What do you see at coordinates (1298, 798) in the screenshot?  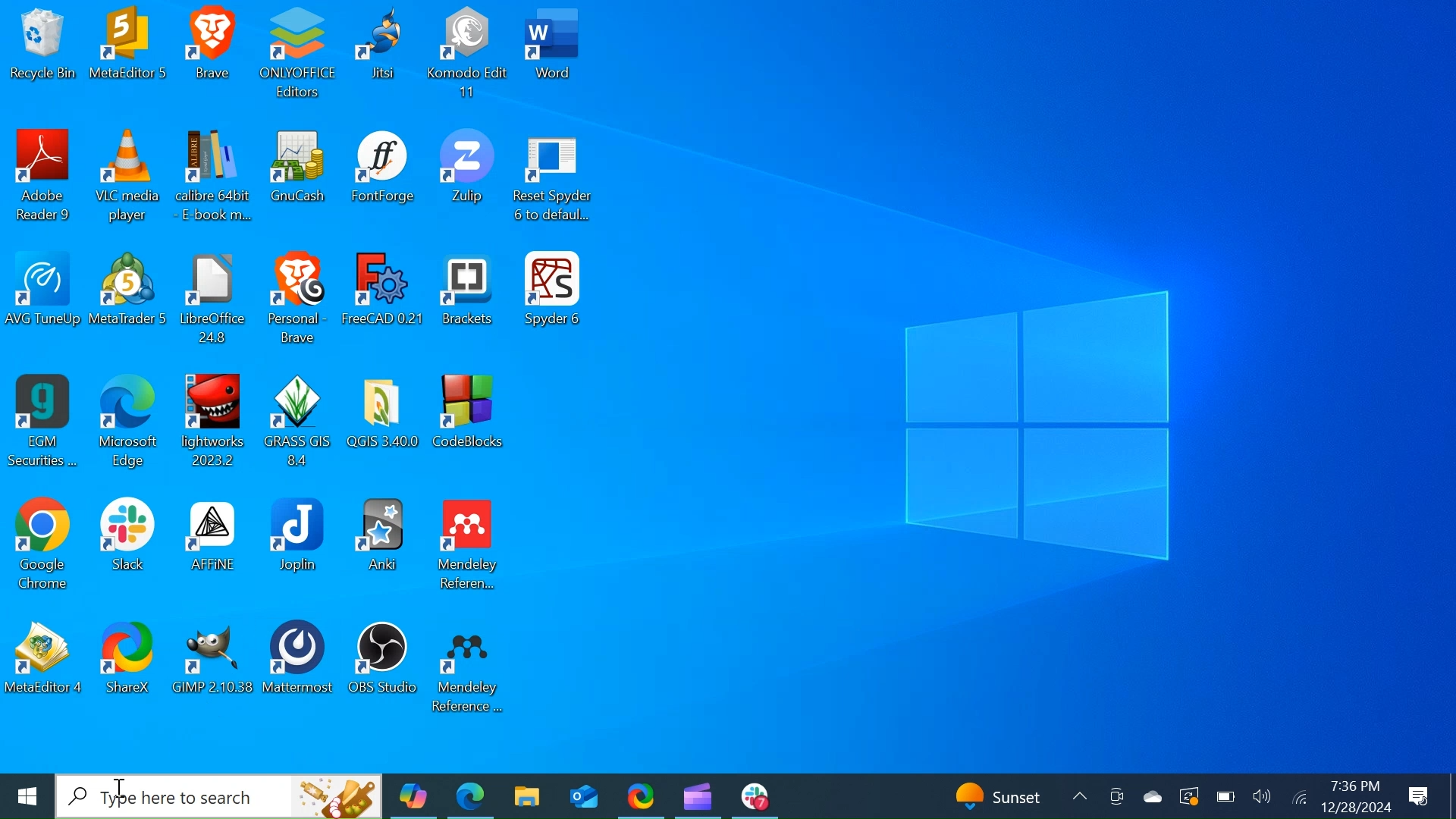 I see `Internet Connectivity` at bounding box center [1298, 798].